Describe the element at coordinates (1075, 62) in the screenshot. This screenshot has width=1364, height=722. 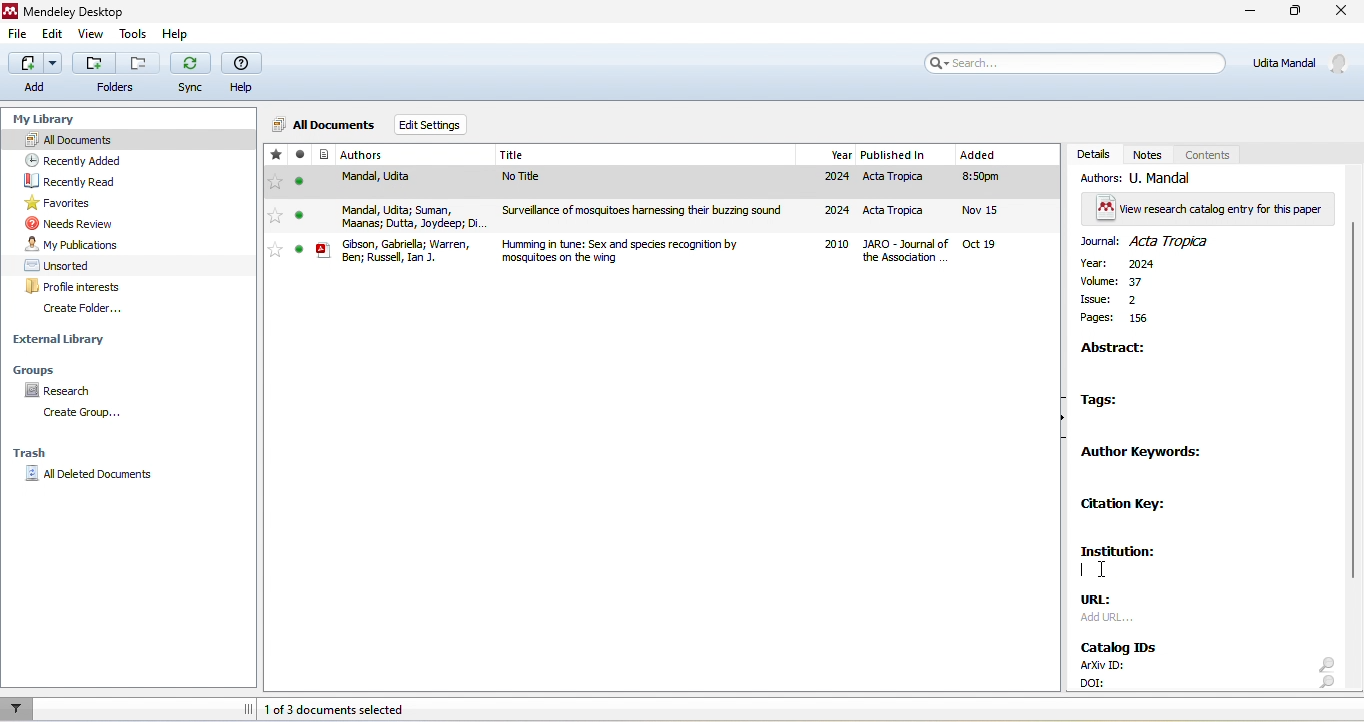
I see `search bar` at that location.